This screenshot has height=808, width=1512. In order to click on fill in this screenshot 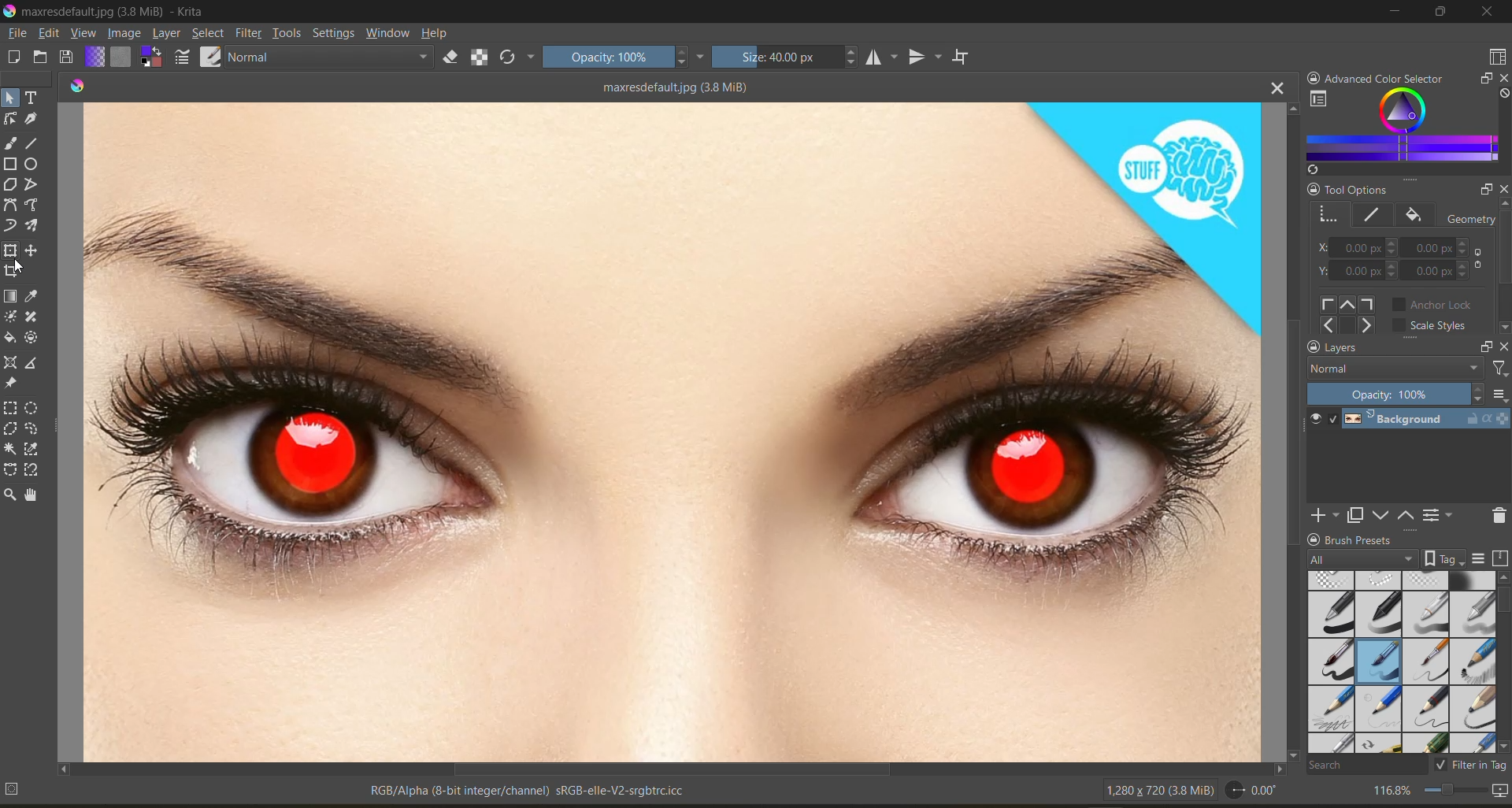, I will do `click(1415, 216)`.